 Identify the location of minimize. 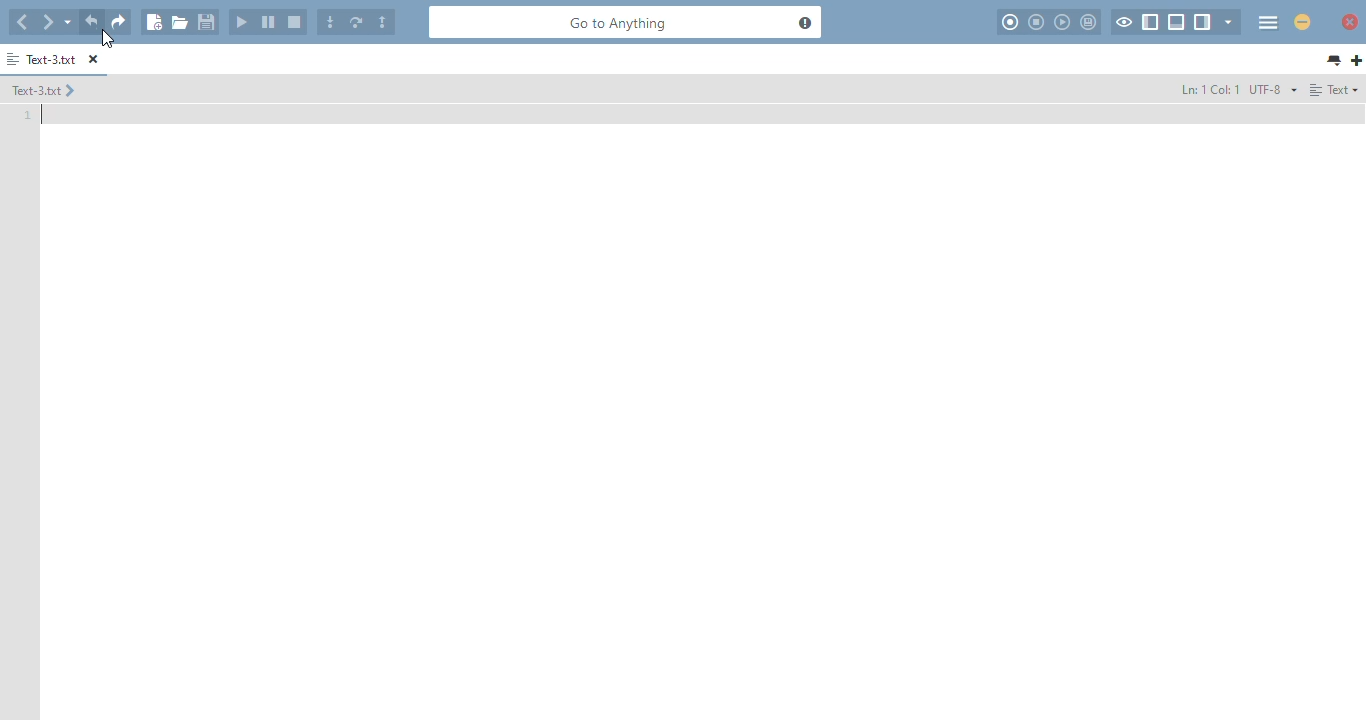
(1302, 22).